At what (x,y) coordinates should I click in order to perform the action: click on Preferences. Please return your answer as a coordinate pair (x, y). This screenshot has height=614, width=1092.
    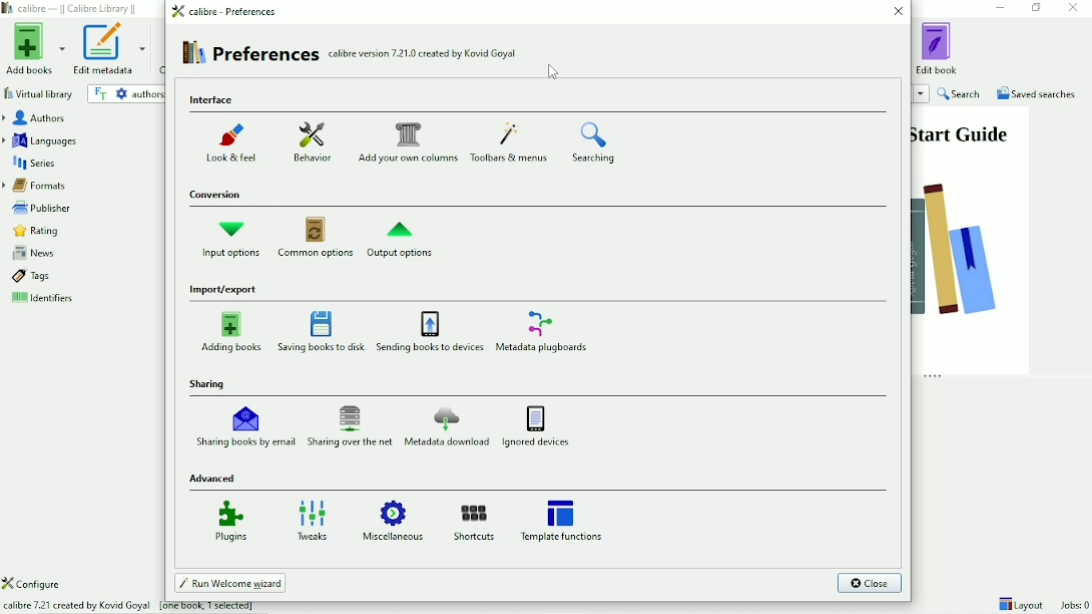
    Looking at the image, I should click on (250, 53).